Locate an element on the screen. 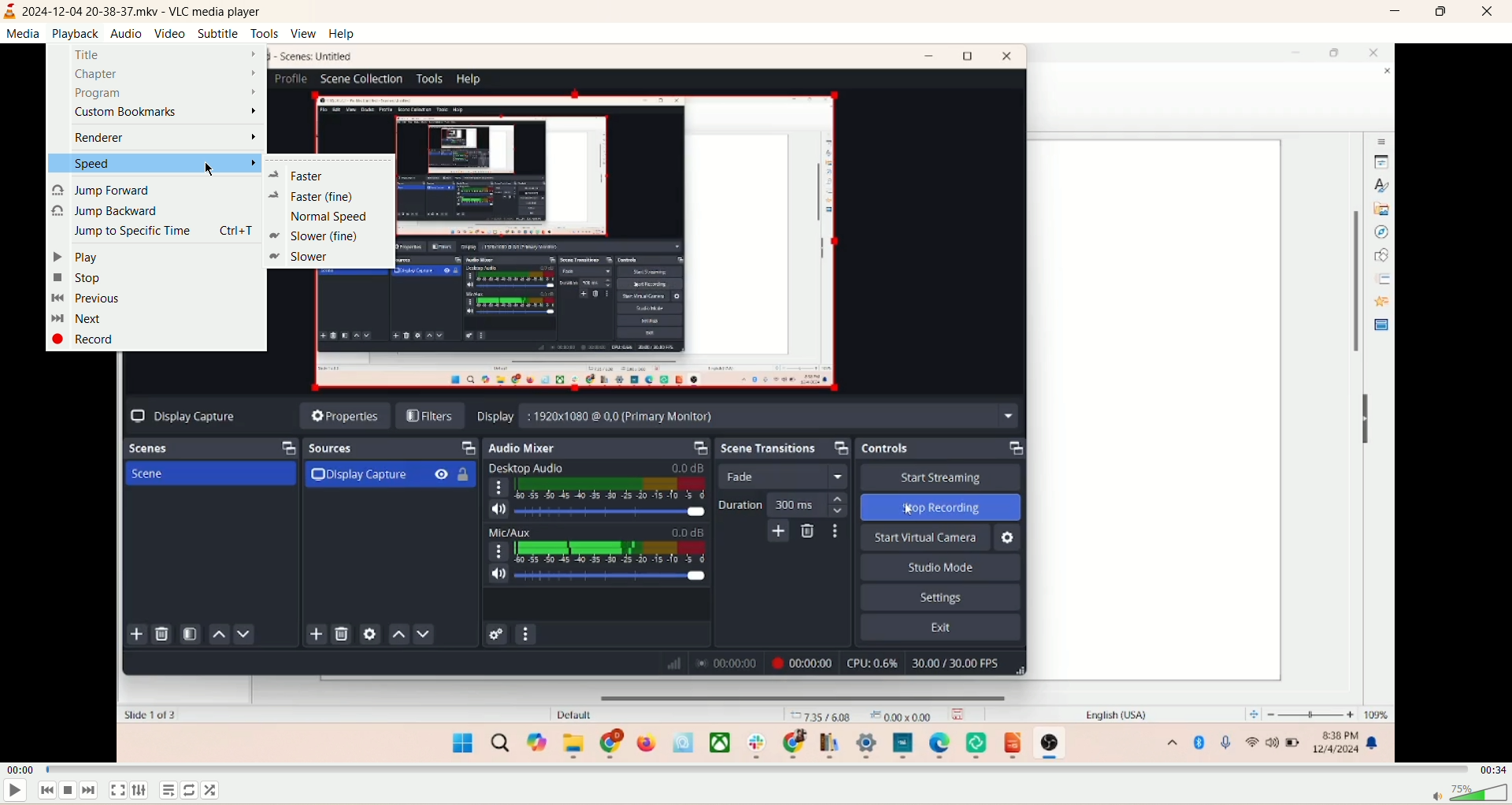  logo is located at coordinates (10, 13).